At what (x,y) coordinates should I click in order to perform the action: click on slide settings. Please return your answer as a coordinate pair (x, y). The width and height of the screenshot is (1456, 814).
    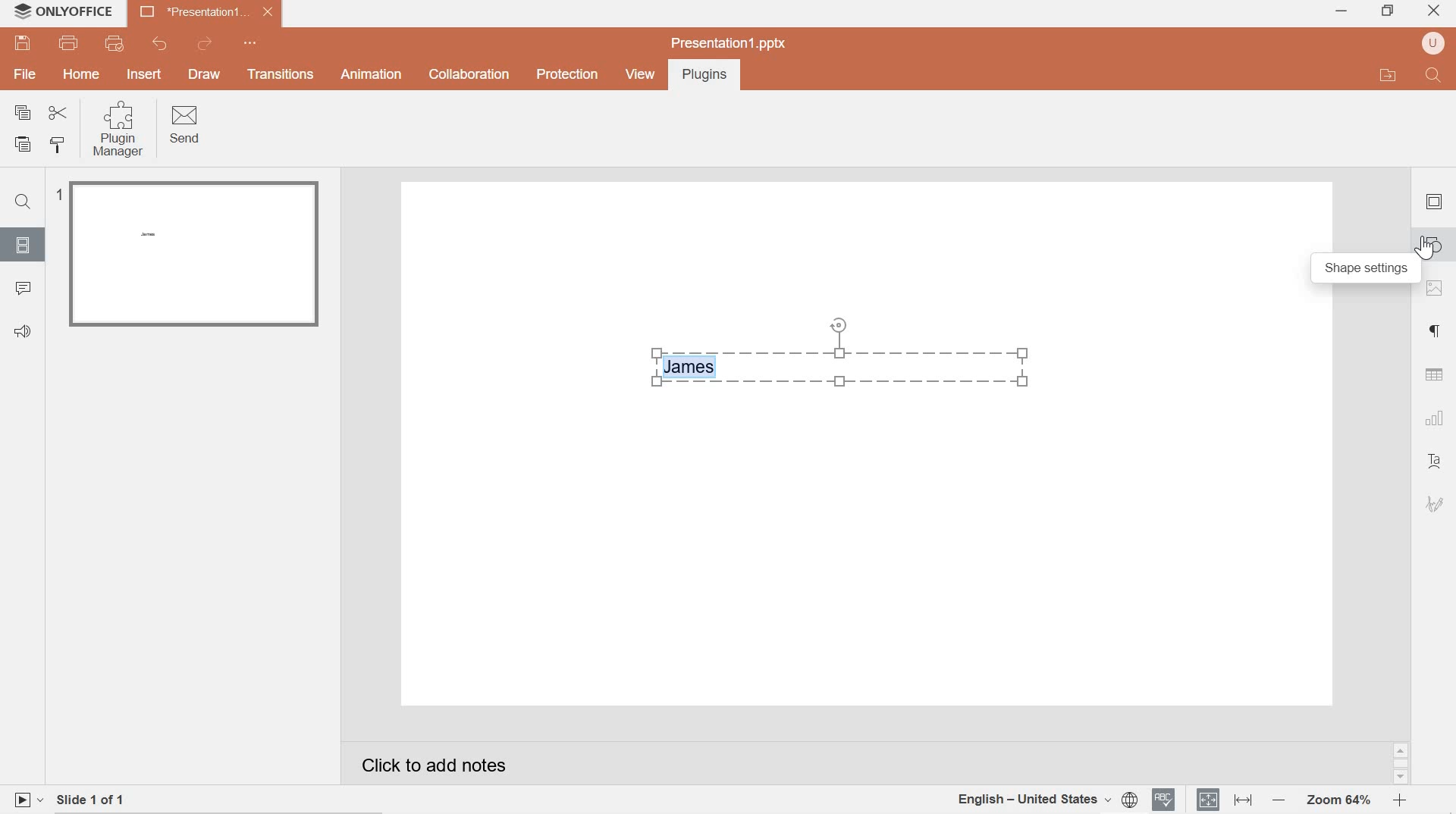
    Looking at the image, I should click on (1434, 202).